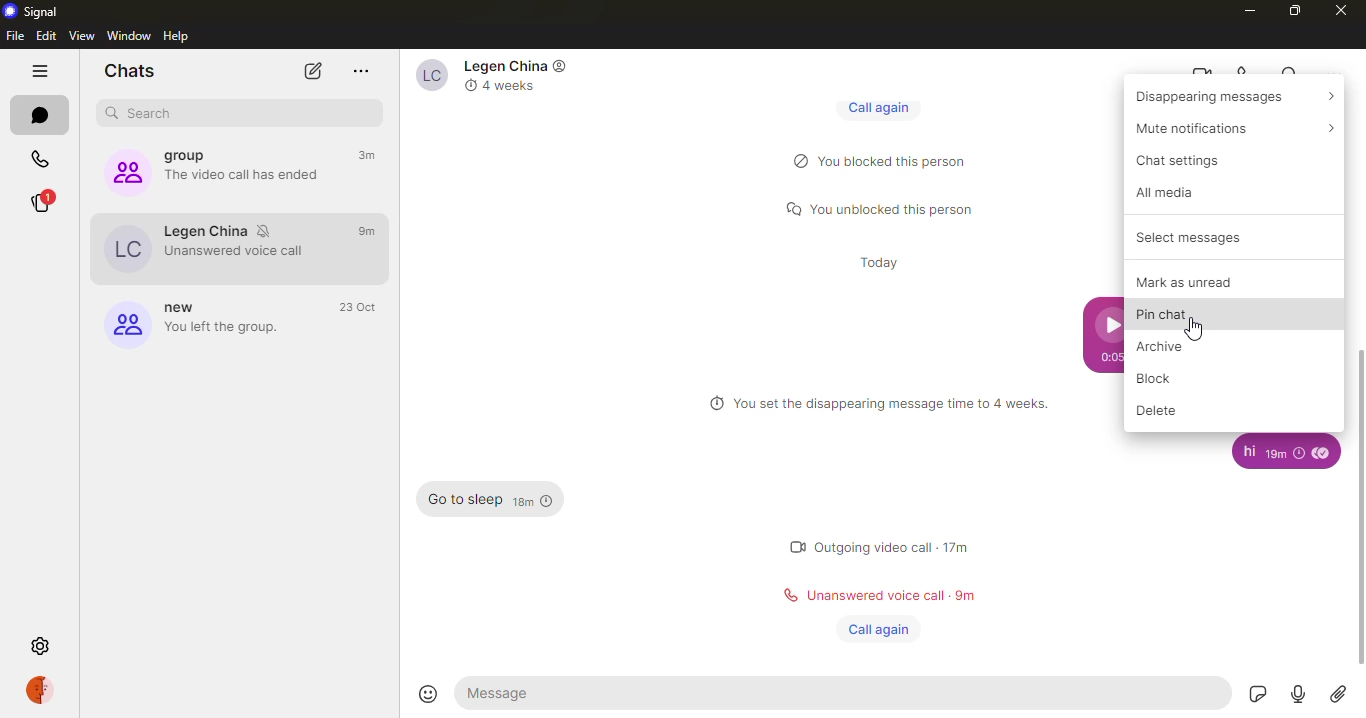  I want to click on sticker, so click(1254, 693).